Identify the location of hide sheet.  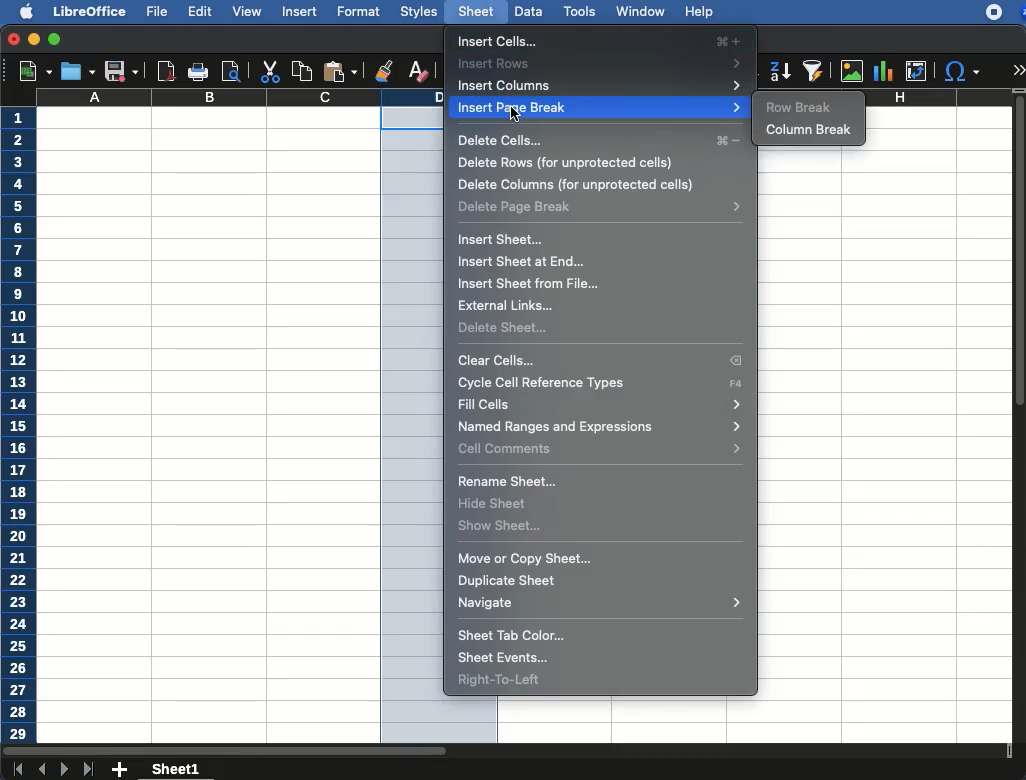
(494, 502).